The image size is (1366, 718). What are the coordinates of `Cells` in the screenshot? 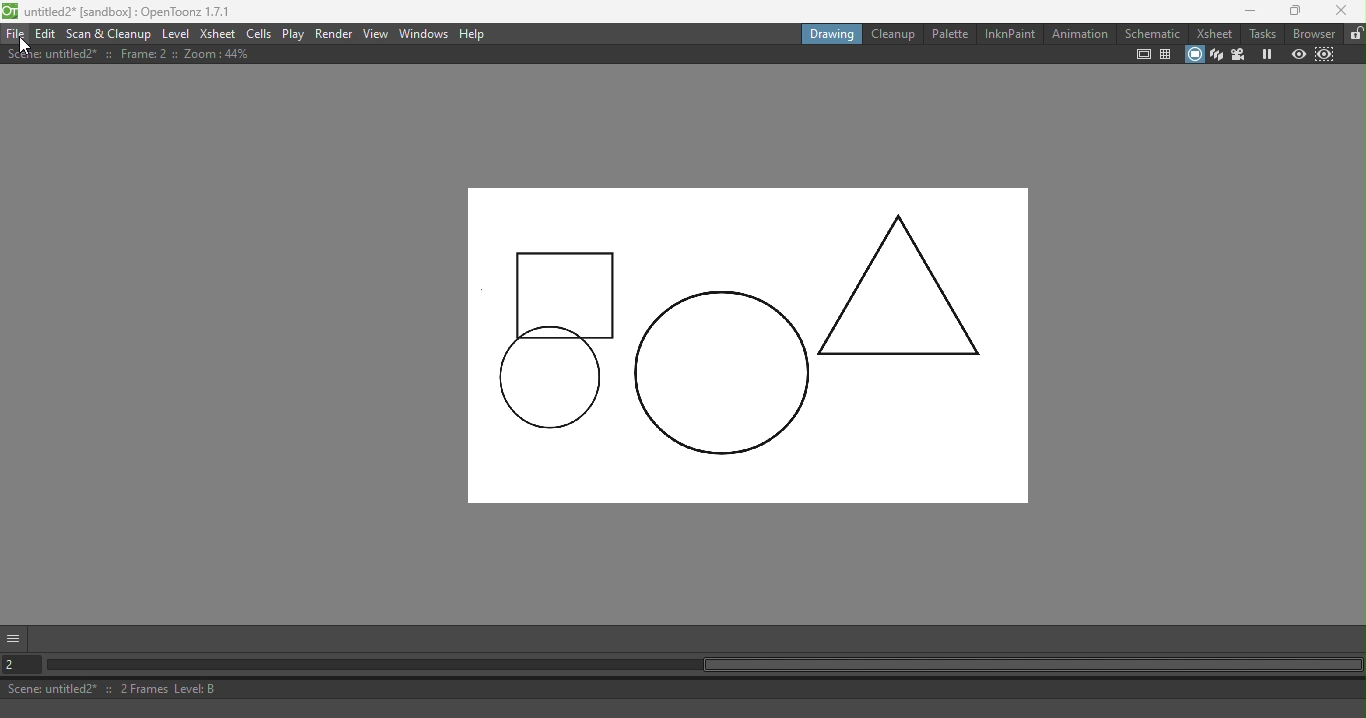 It's located at (259, 34).